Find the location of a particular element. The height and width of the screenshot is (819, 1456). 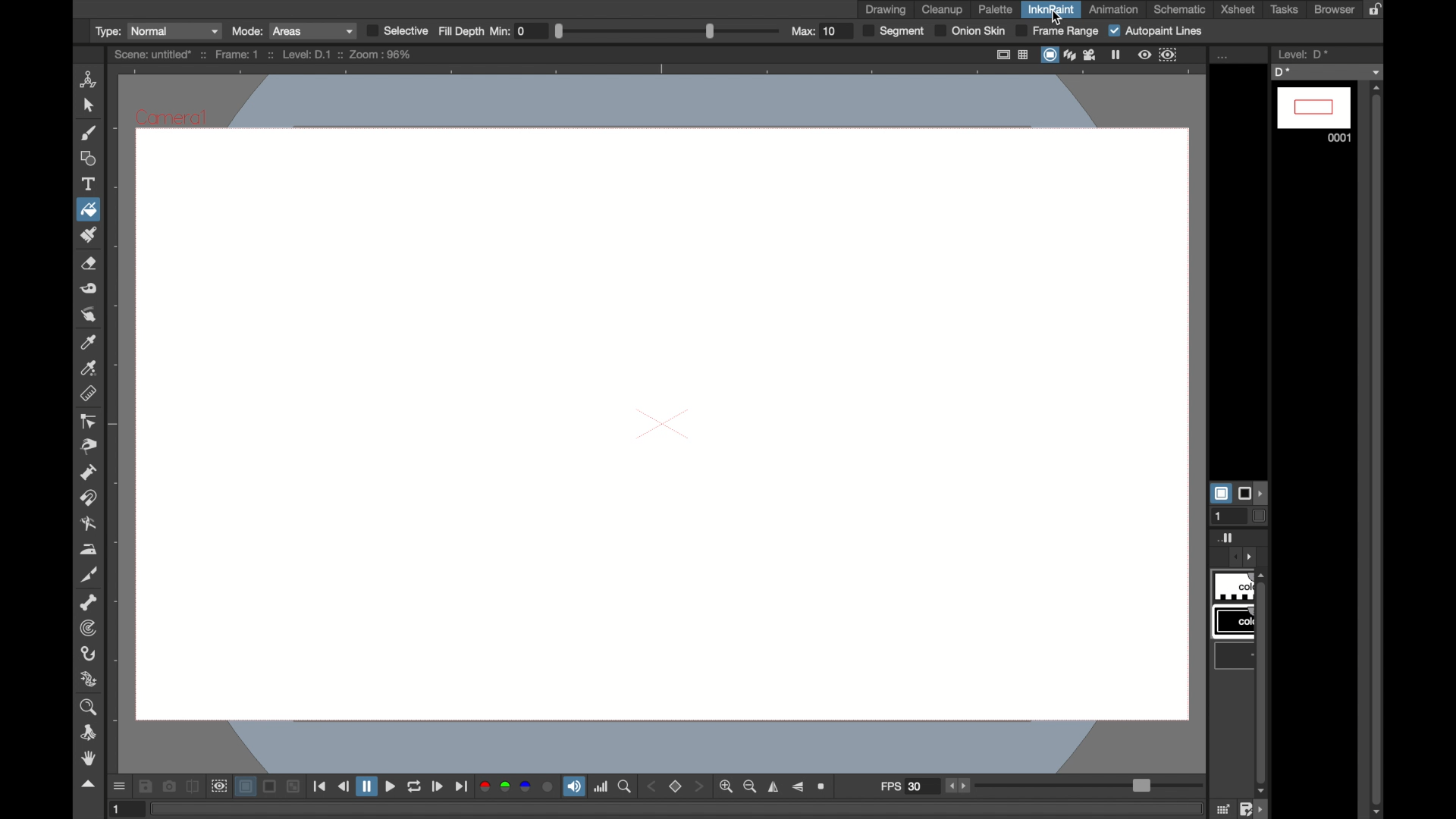

max is located at coordinates (814, 31).